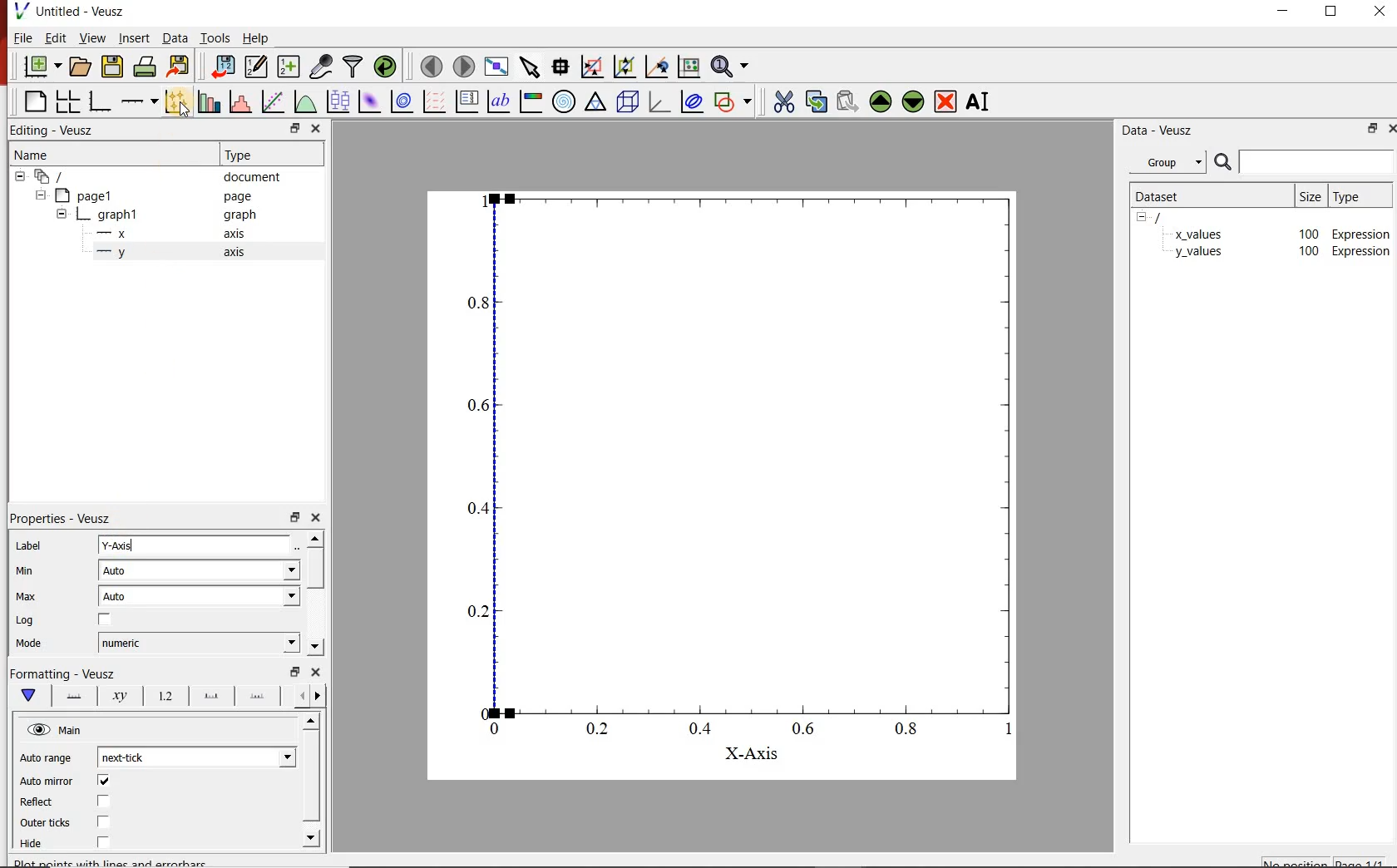 This screenshot has width=1397, height=868. I want to click on print the documents, so click(145, 67).